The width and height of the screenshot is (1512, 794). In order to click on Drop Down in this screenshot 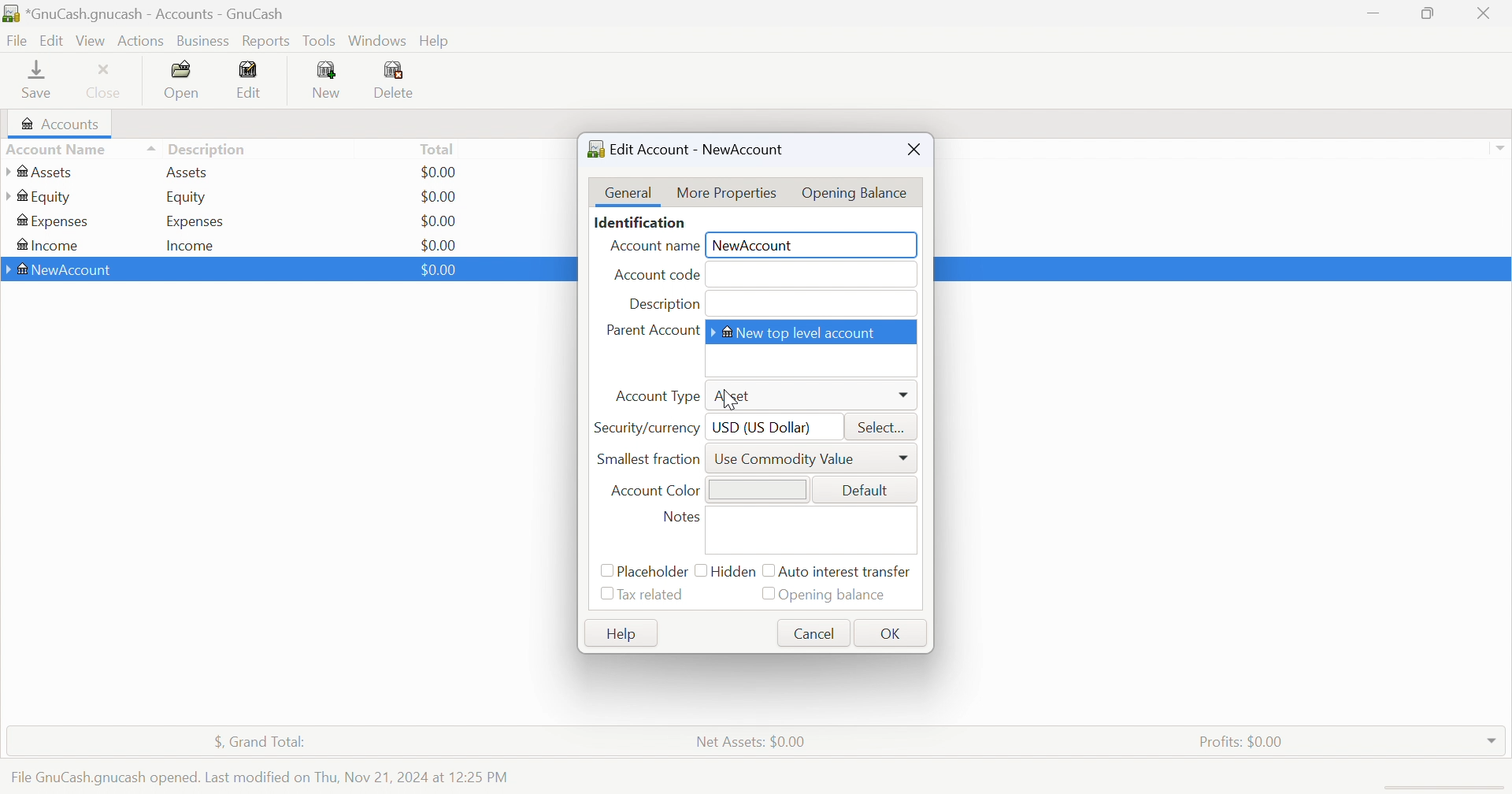, I will do `click(1492, 736)`.